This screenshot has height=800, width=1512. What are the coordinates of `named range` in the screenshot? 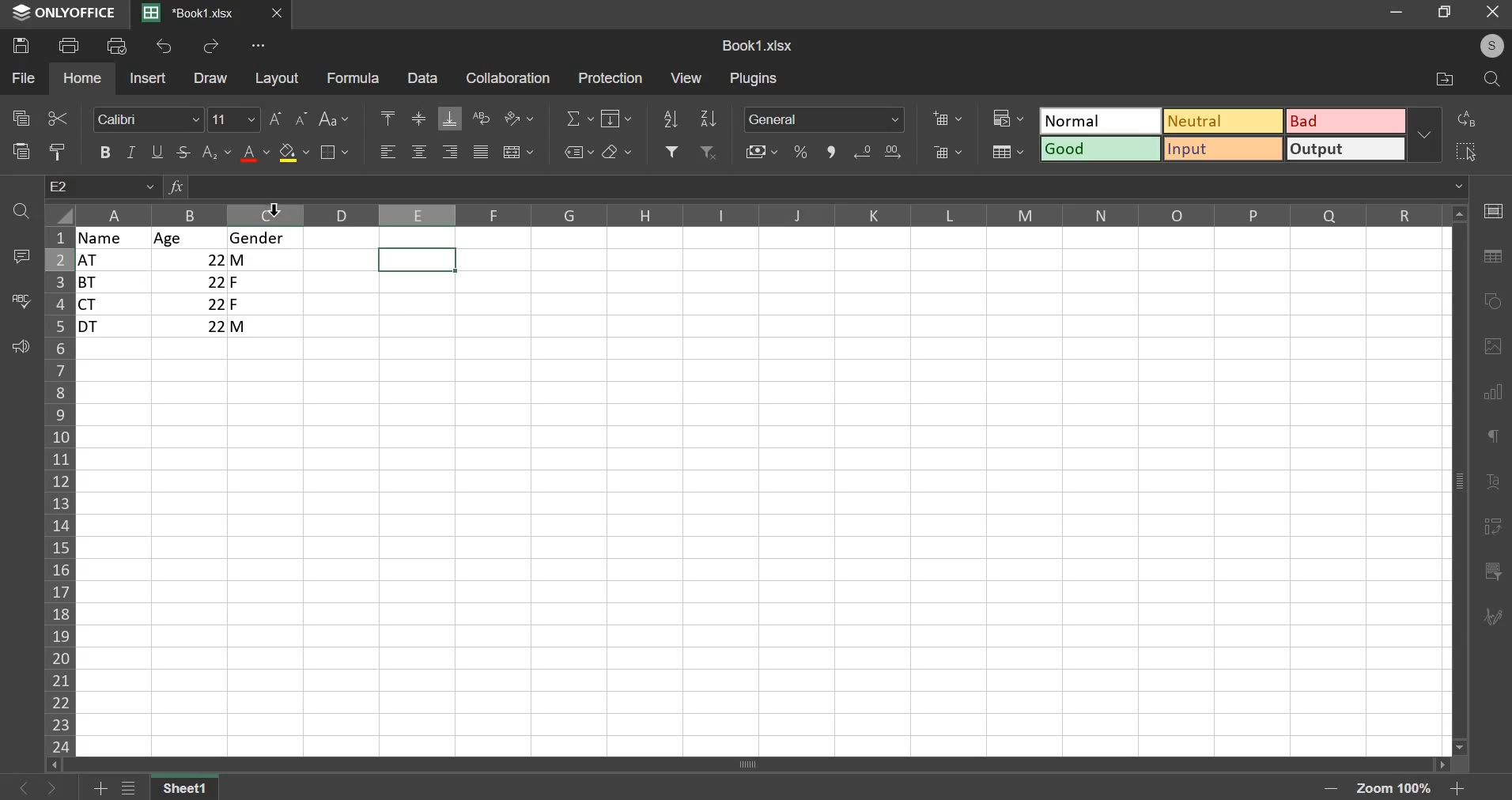 It's located at (580, 153).